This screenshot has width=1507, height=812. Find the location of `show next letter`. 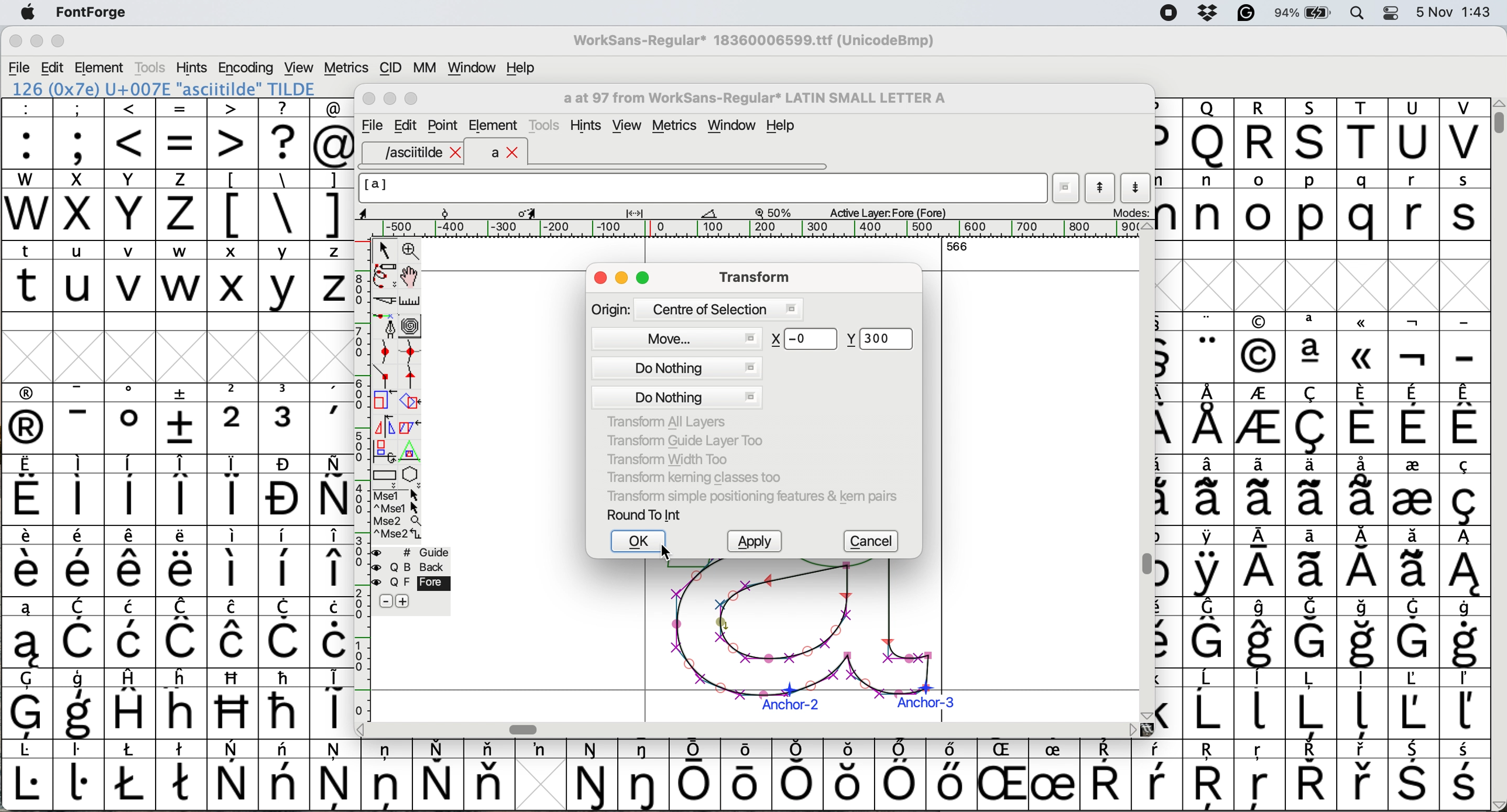

show next letter is located at coordinates (1138, 187).